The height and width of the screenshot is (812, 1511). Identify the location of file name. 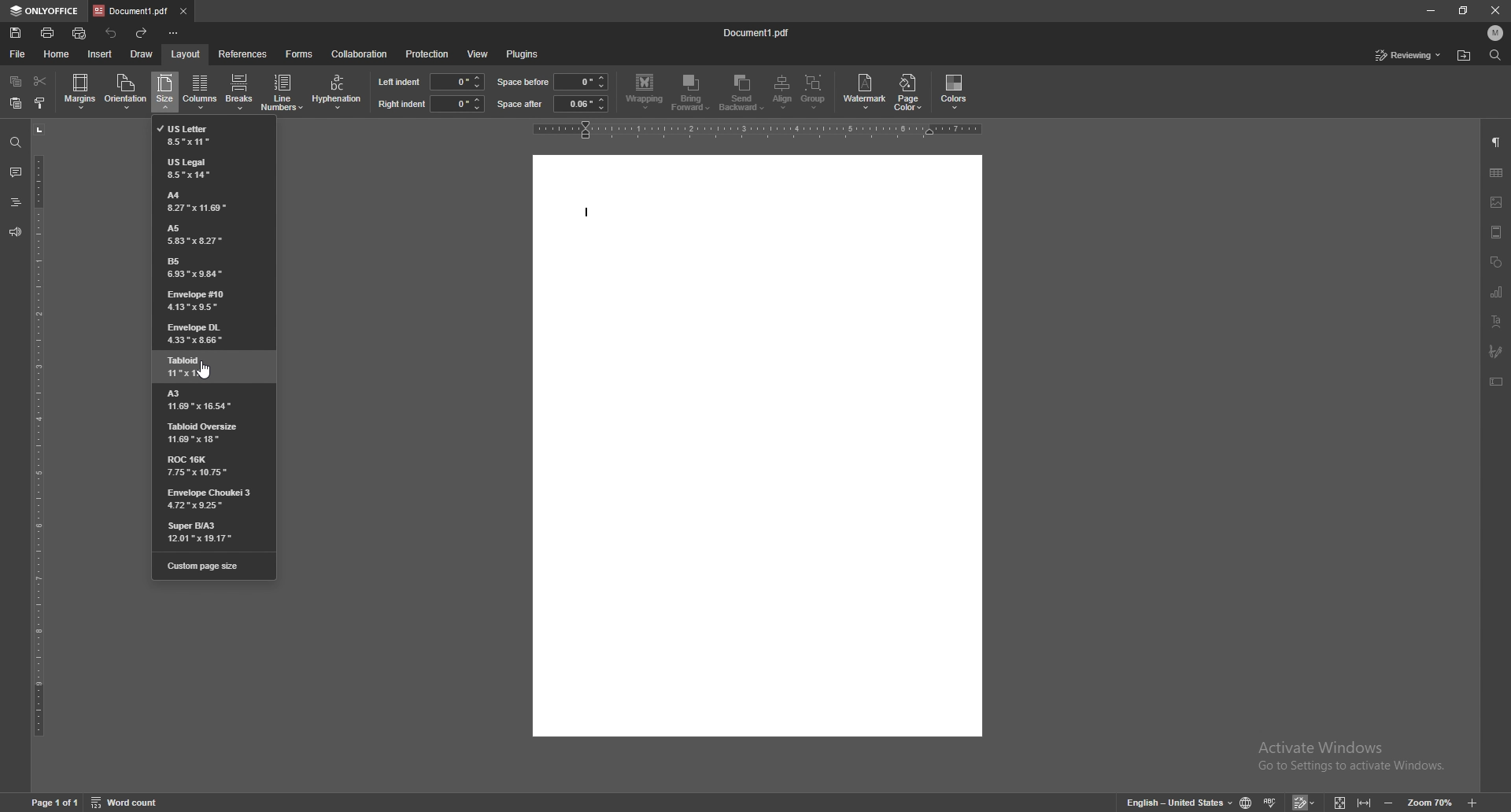
(759, 31).